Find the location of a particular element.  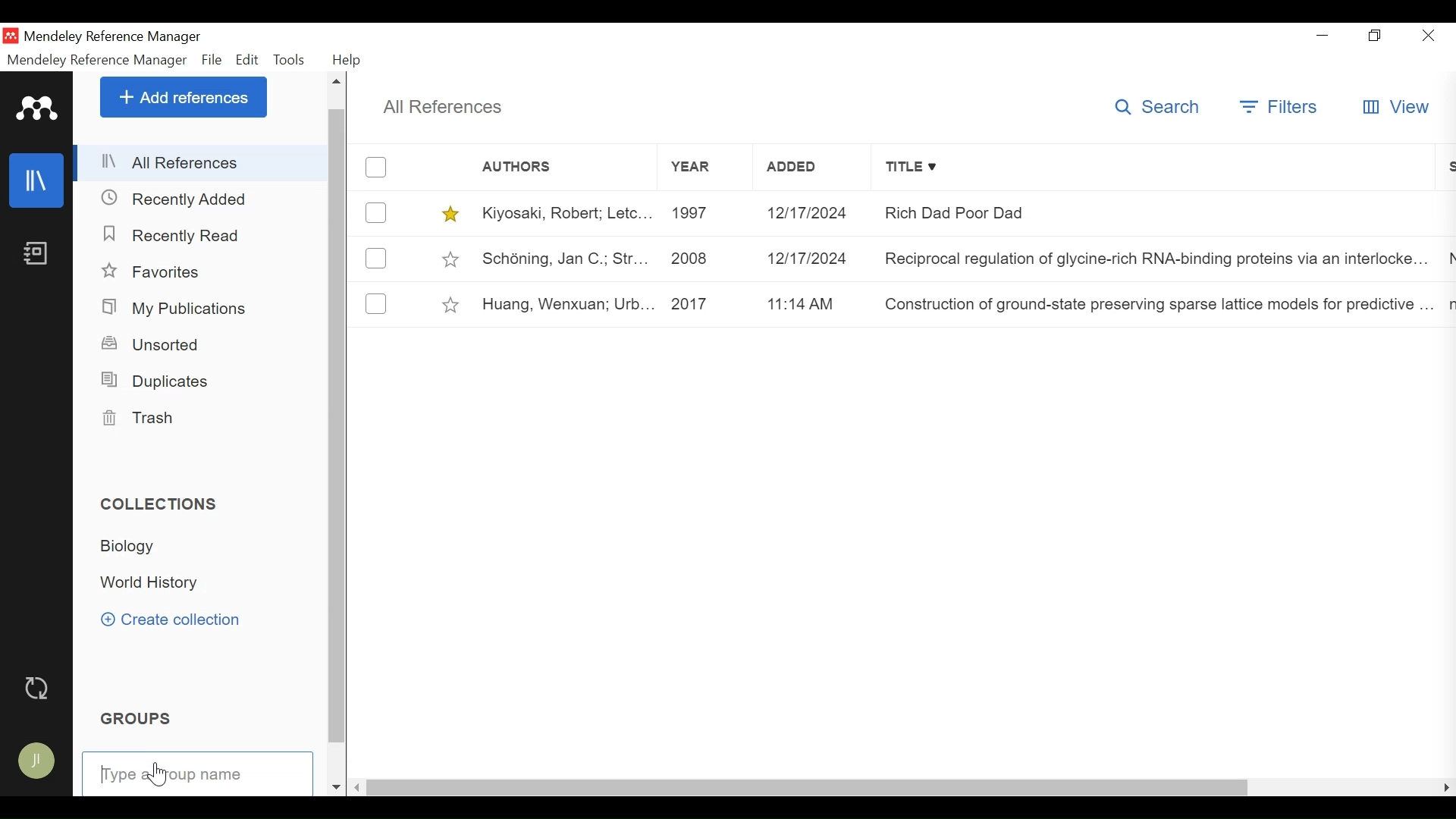

Unsorted is located at coordinates (156, 344).